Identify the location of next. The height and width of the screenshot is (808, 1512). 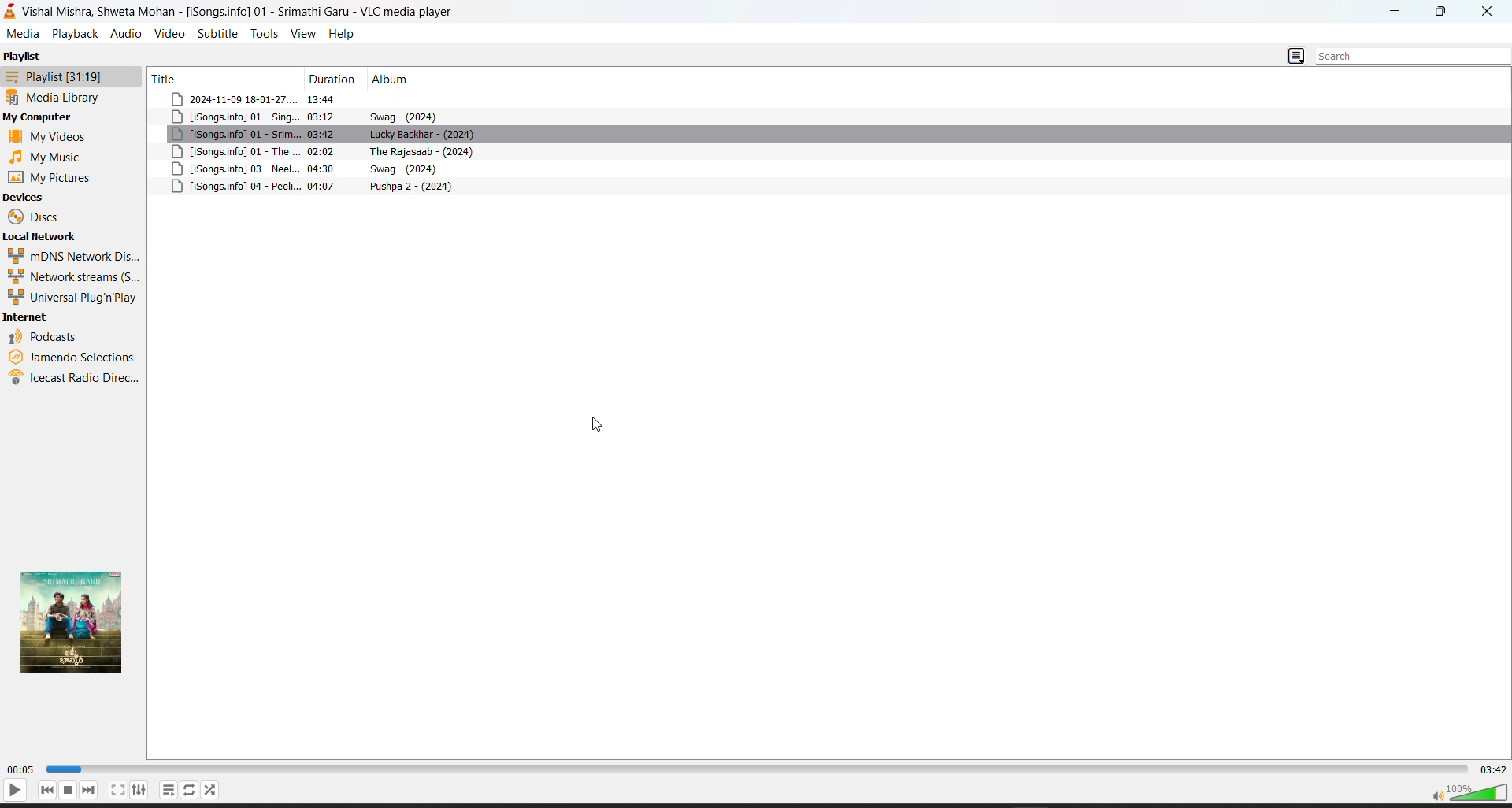
(90, 790).